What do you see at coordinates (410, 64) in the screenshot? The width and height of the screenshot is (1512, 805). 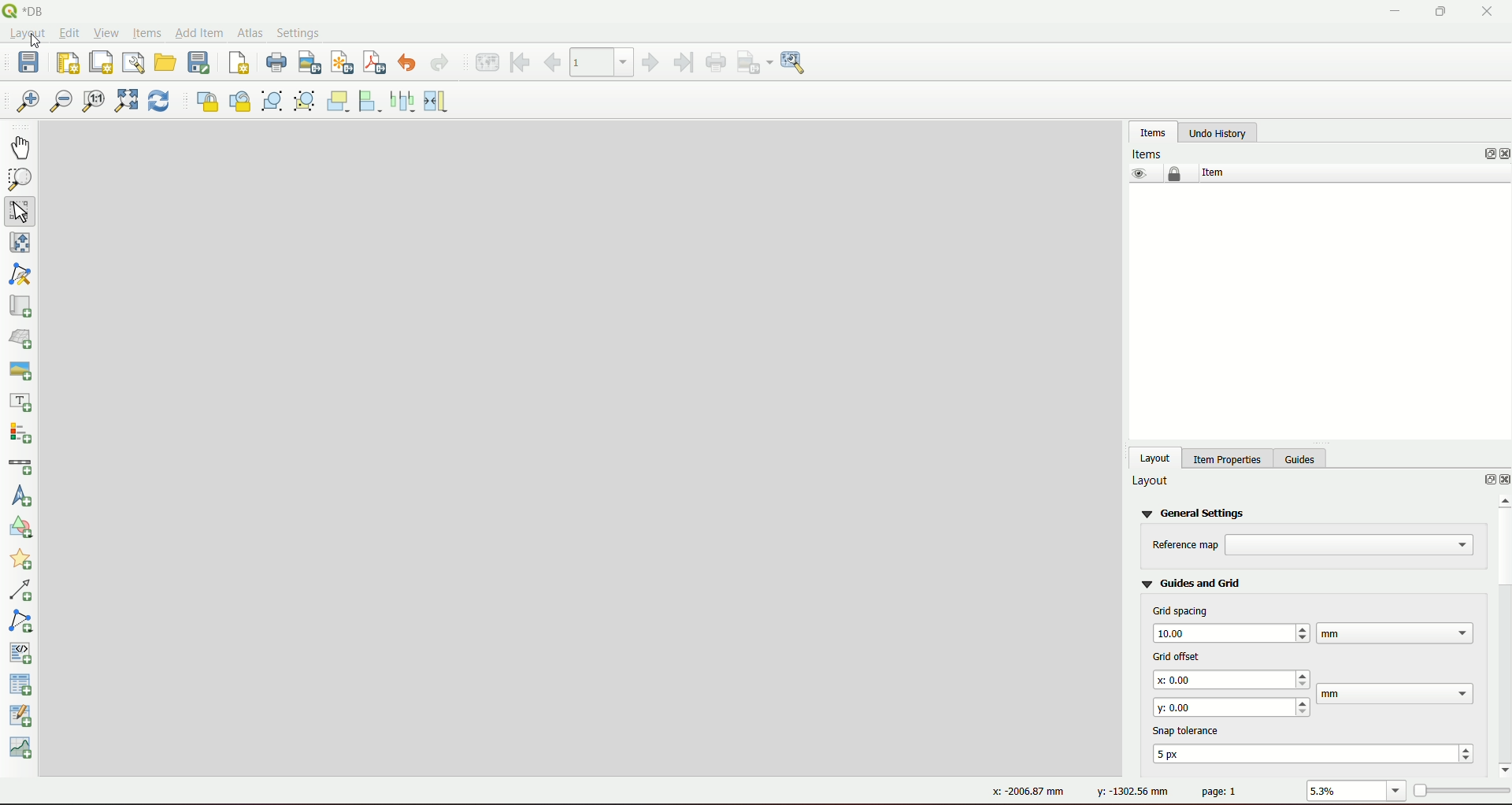 I see `undo` at bounding box center [410, 64].